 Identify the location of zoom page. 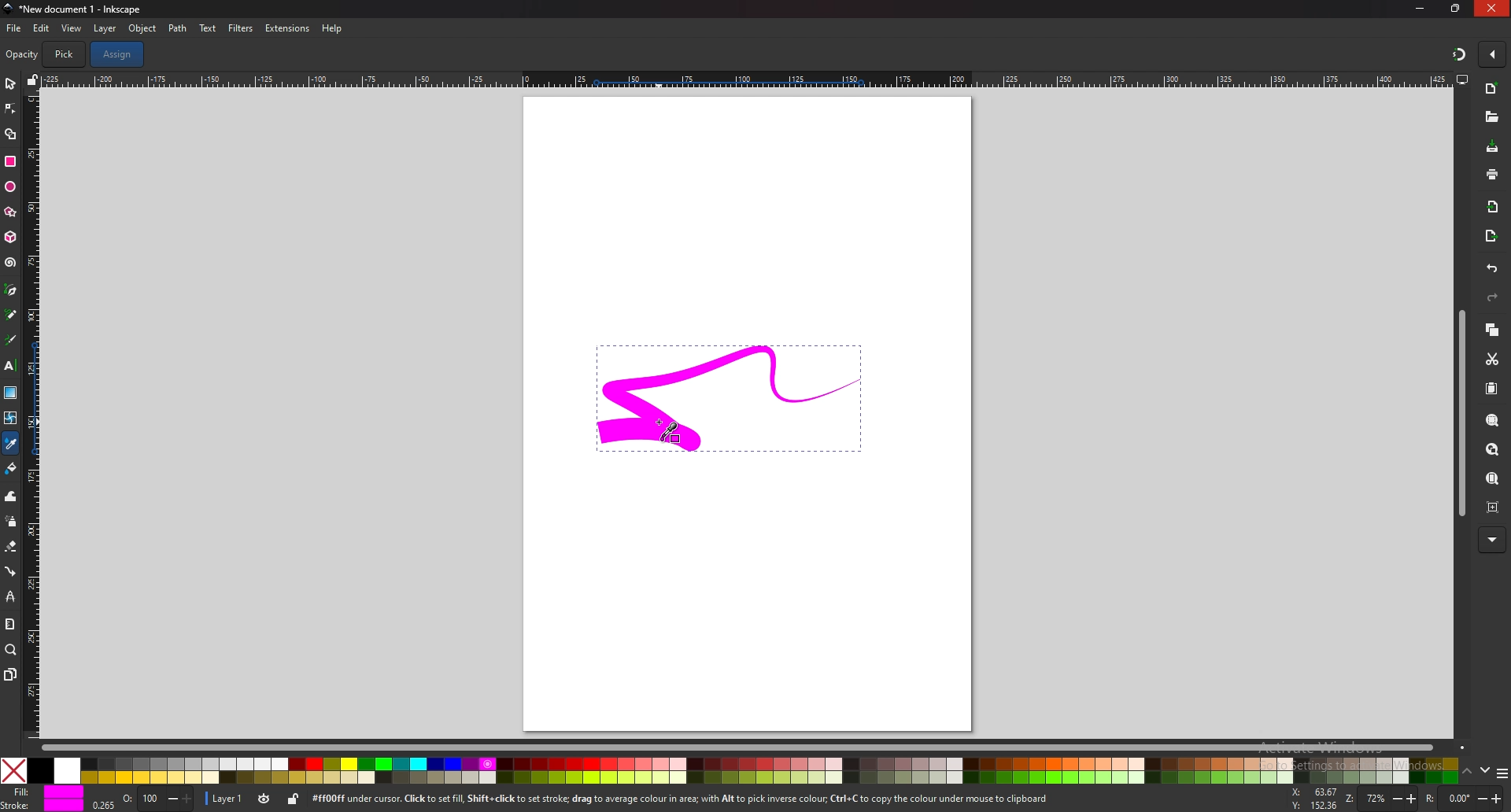
(1491, 450).